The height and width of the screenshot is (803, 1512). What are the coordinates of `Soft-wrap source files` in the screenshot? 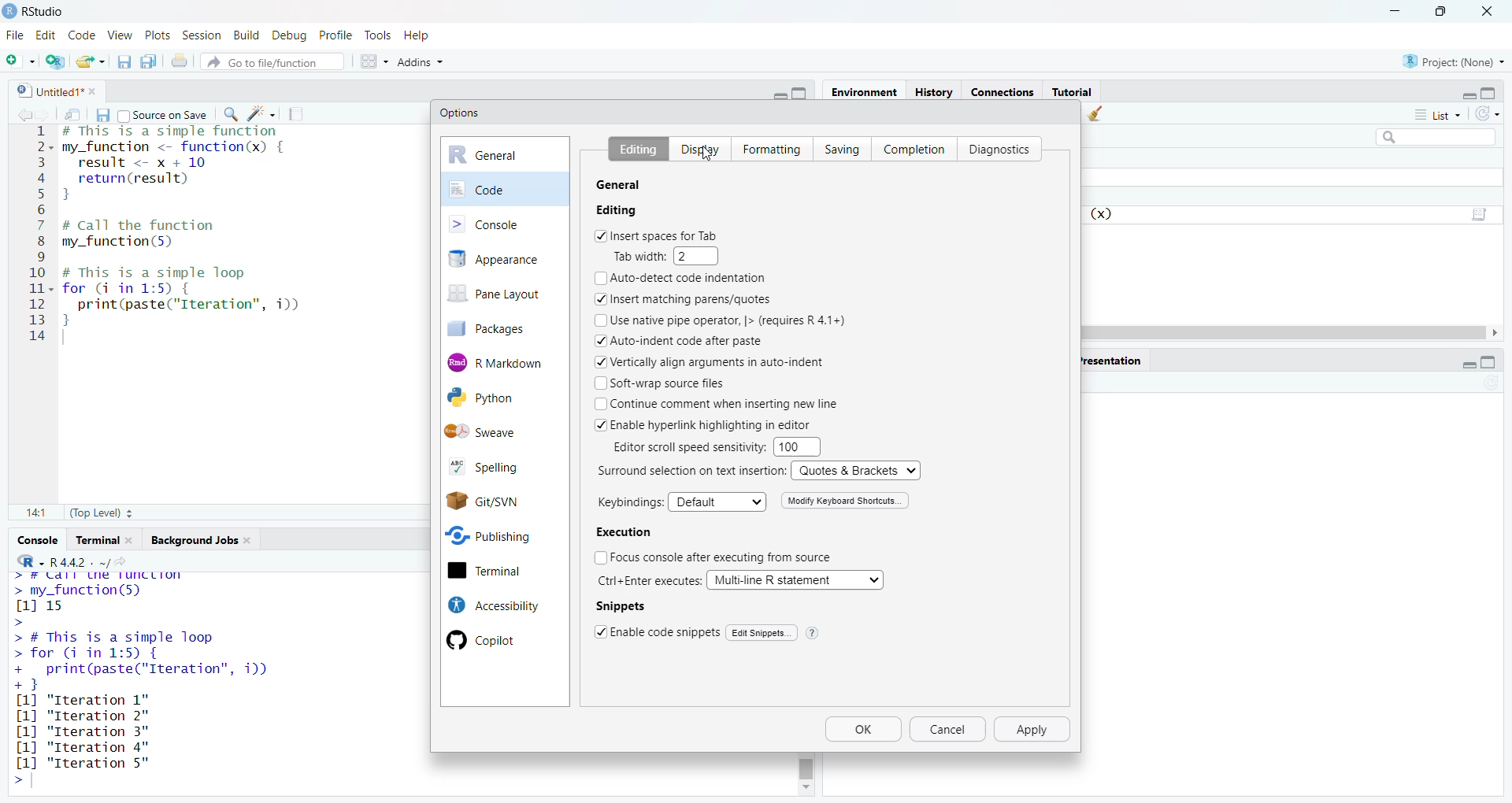 It's located at (666, 383).